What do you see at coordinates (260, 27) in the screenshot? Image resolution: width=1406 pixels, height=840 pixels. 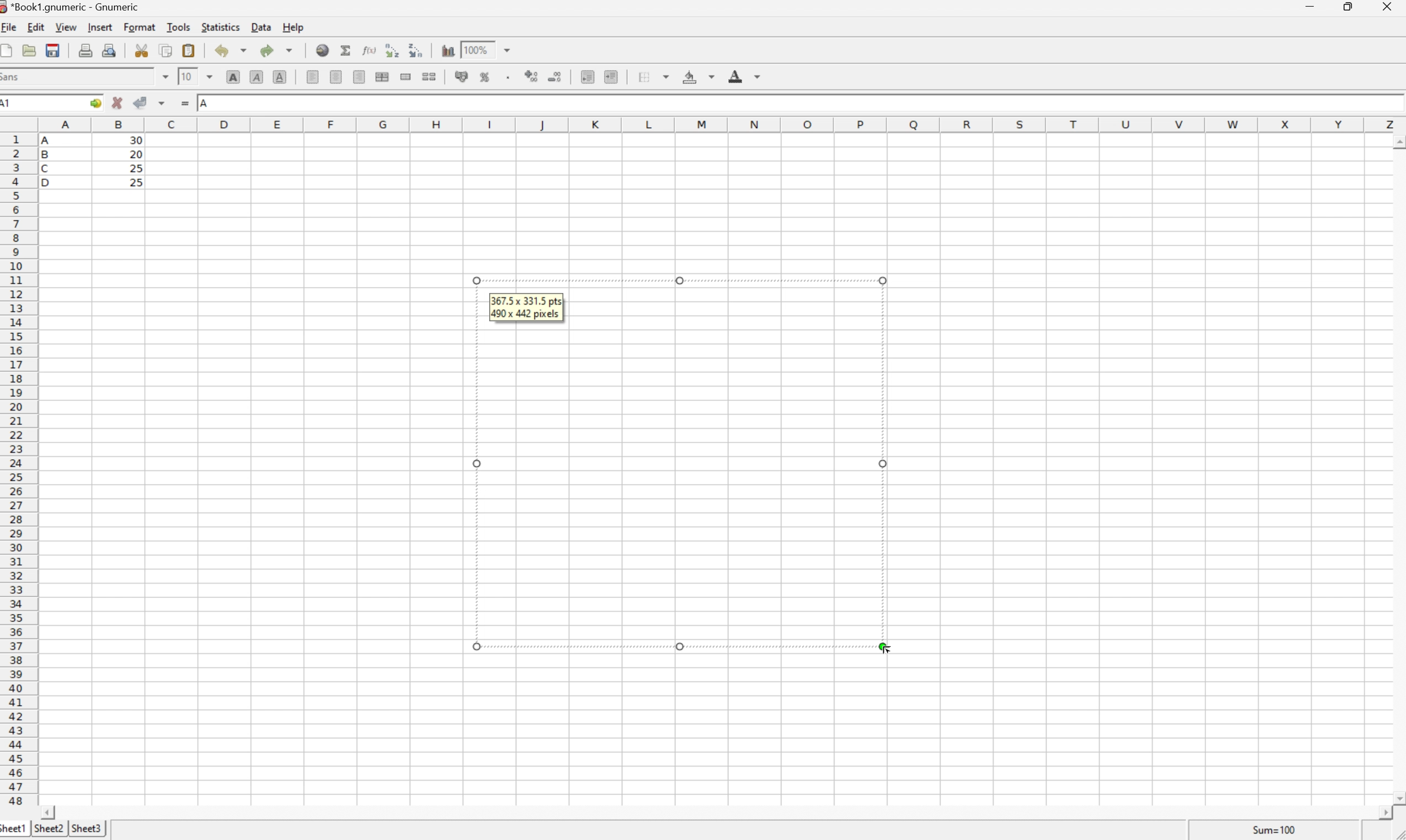 I see `Data` at bounding box center [260, 27].